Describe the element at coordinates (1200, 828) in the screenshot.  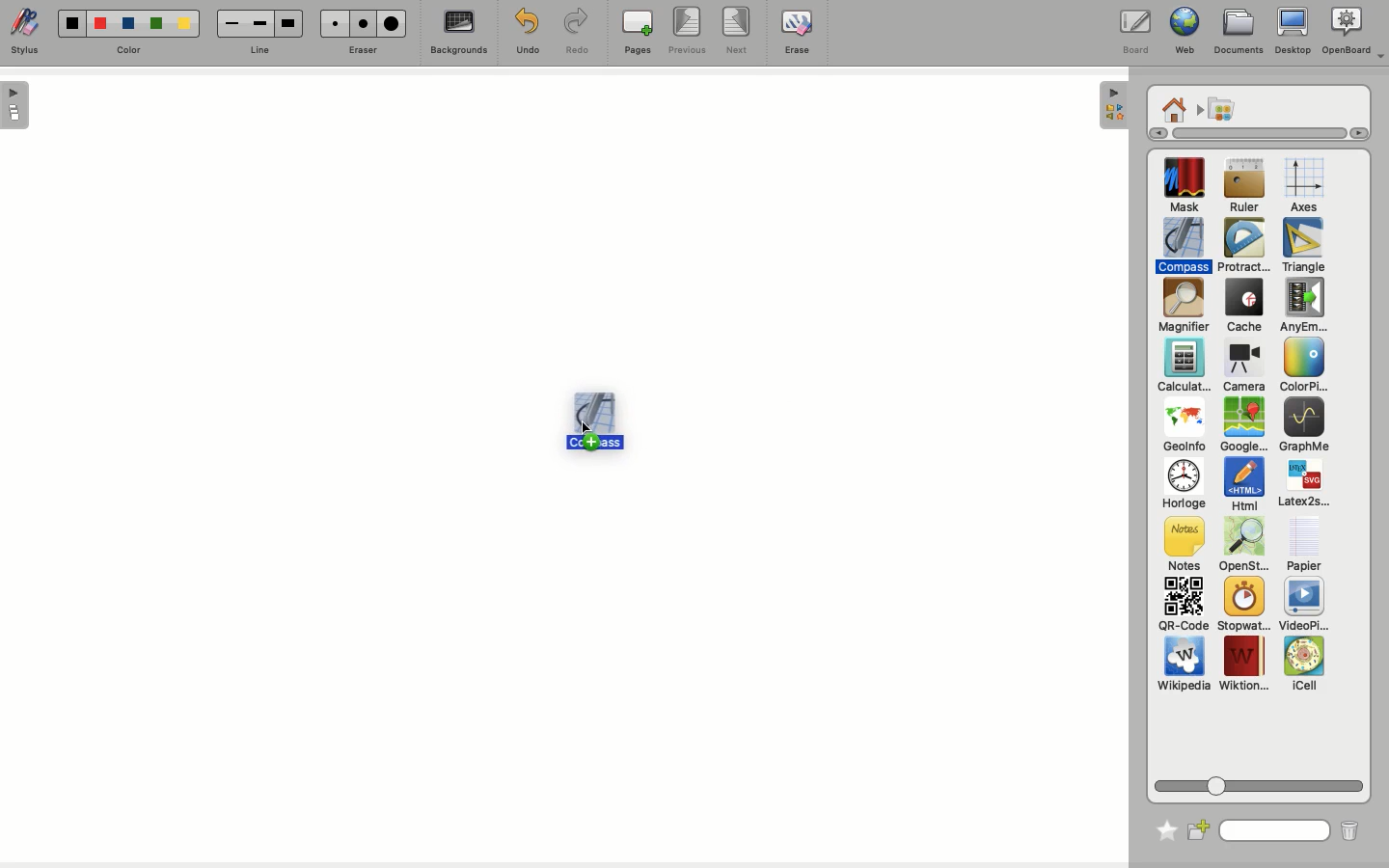
I see `New folder` at that location.